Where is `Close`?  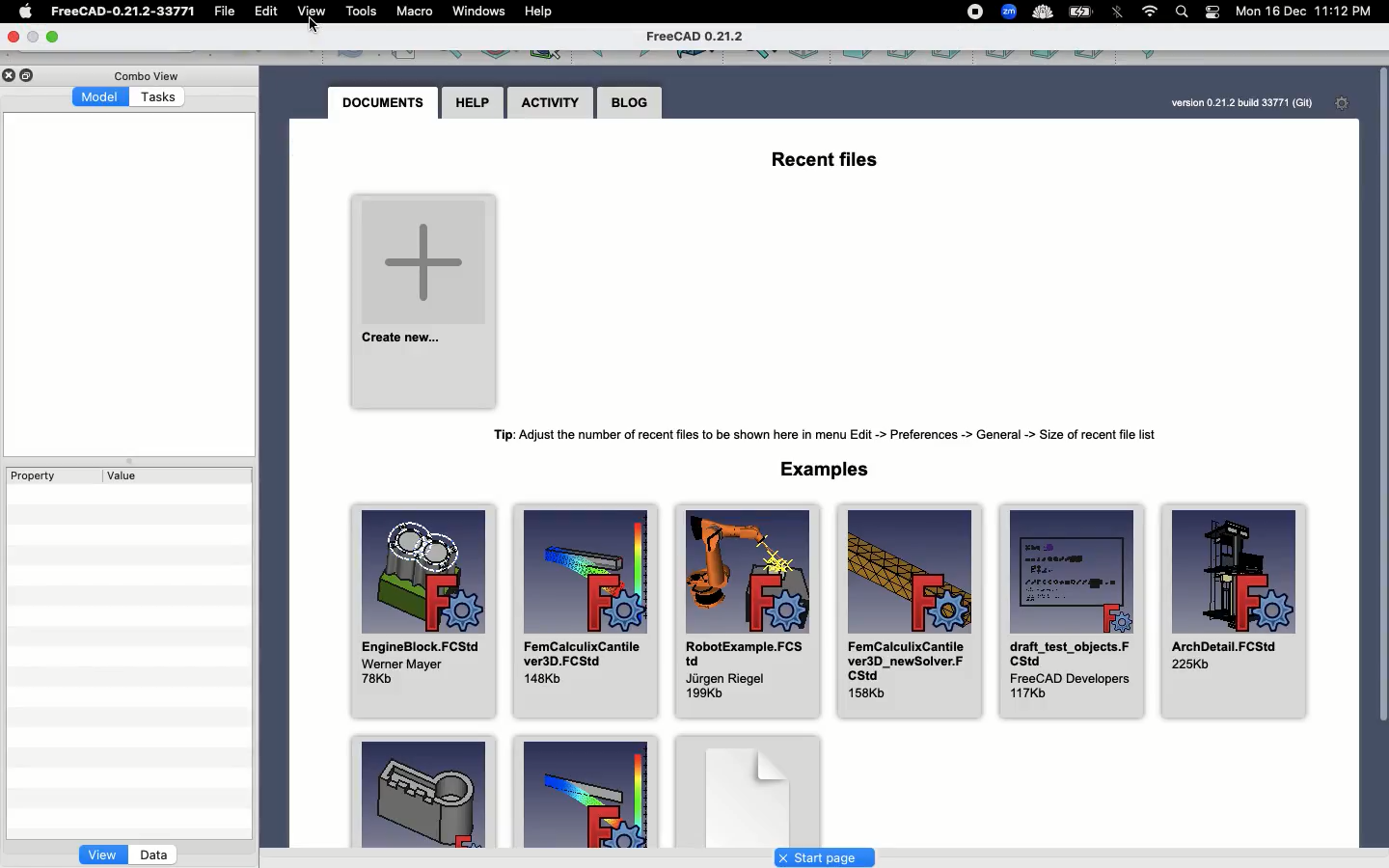 Close is located at coordinates (17, 38).